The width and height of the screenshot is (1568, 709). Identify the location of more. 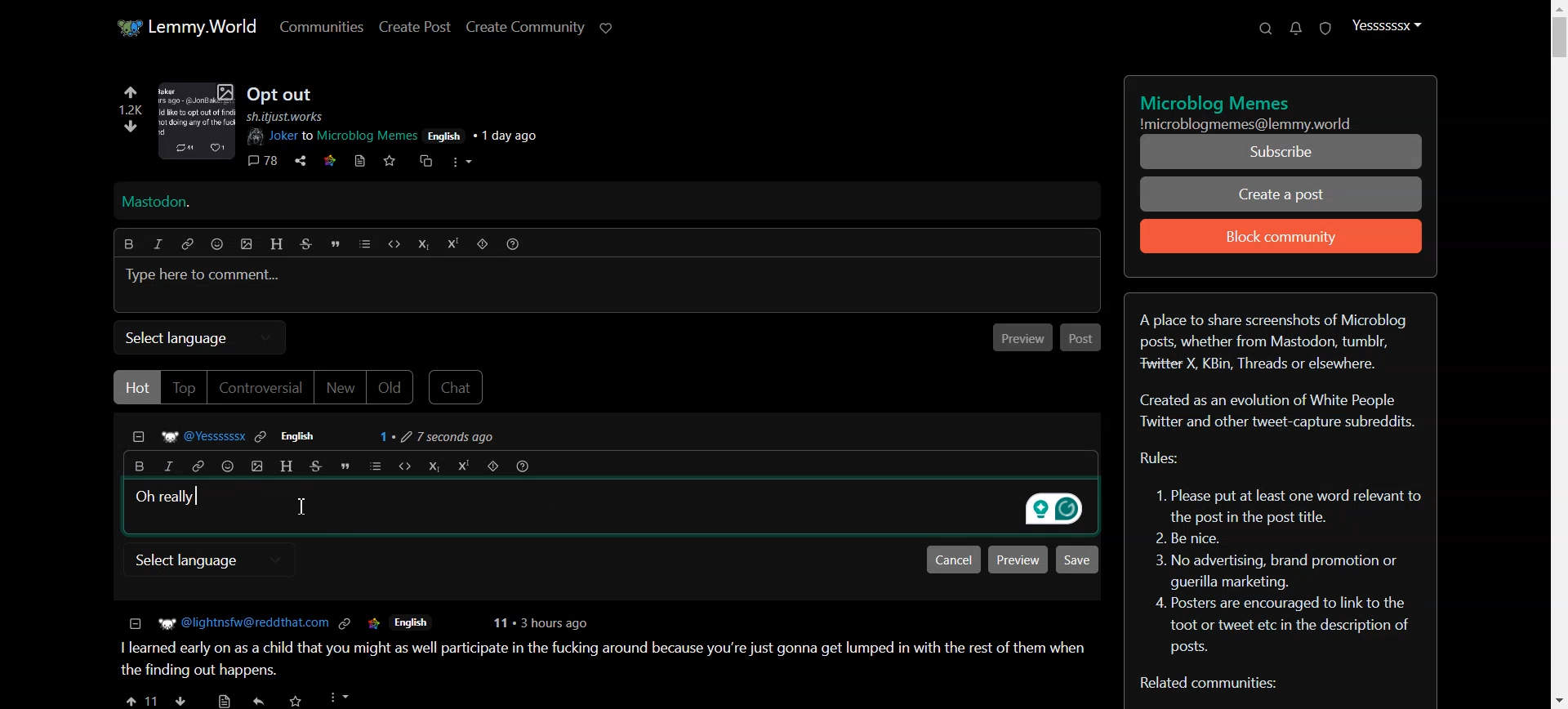
(463, 163).